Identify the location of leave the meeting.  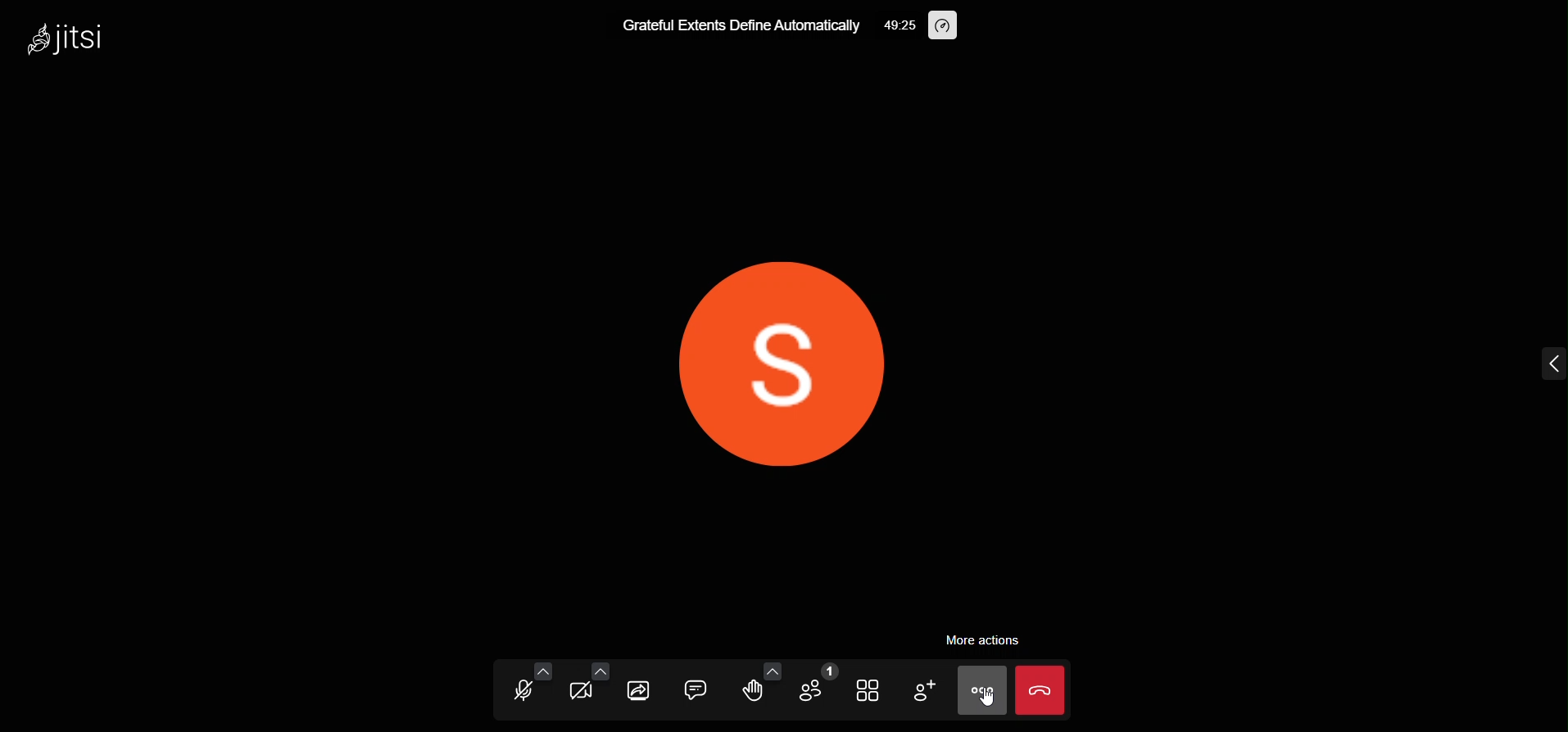
(1042, 689).